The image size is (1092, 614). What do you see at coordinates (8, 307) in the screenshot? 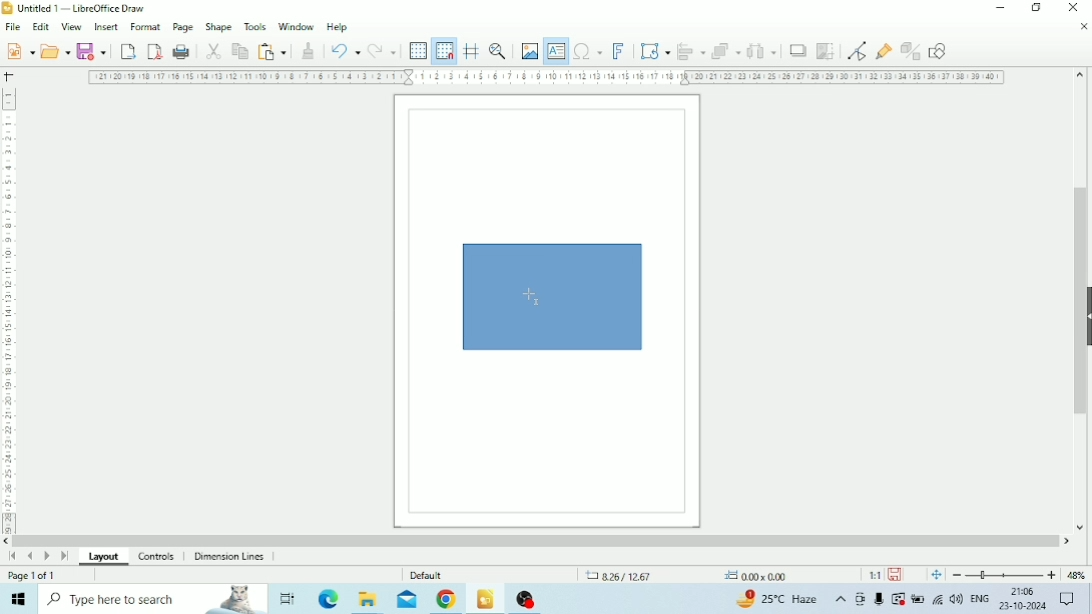
I see `Vertical scale` at bounding box center [8, 307].